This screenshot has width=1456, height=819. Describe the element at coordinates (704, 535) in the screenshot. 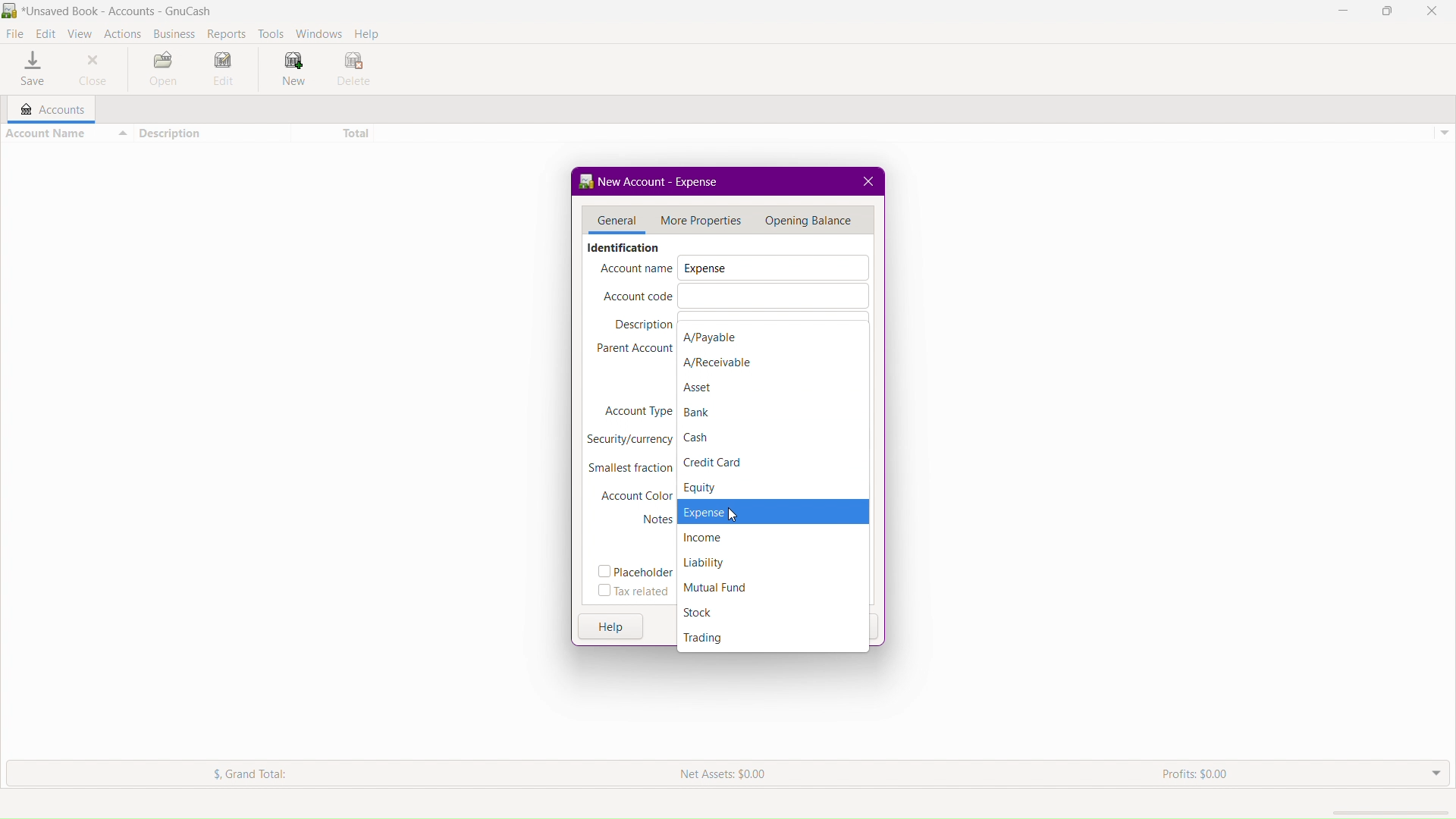

I see `Income` at that location.